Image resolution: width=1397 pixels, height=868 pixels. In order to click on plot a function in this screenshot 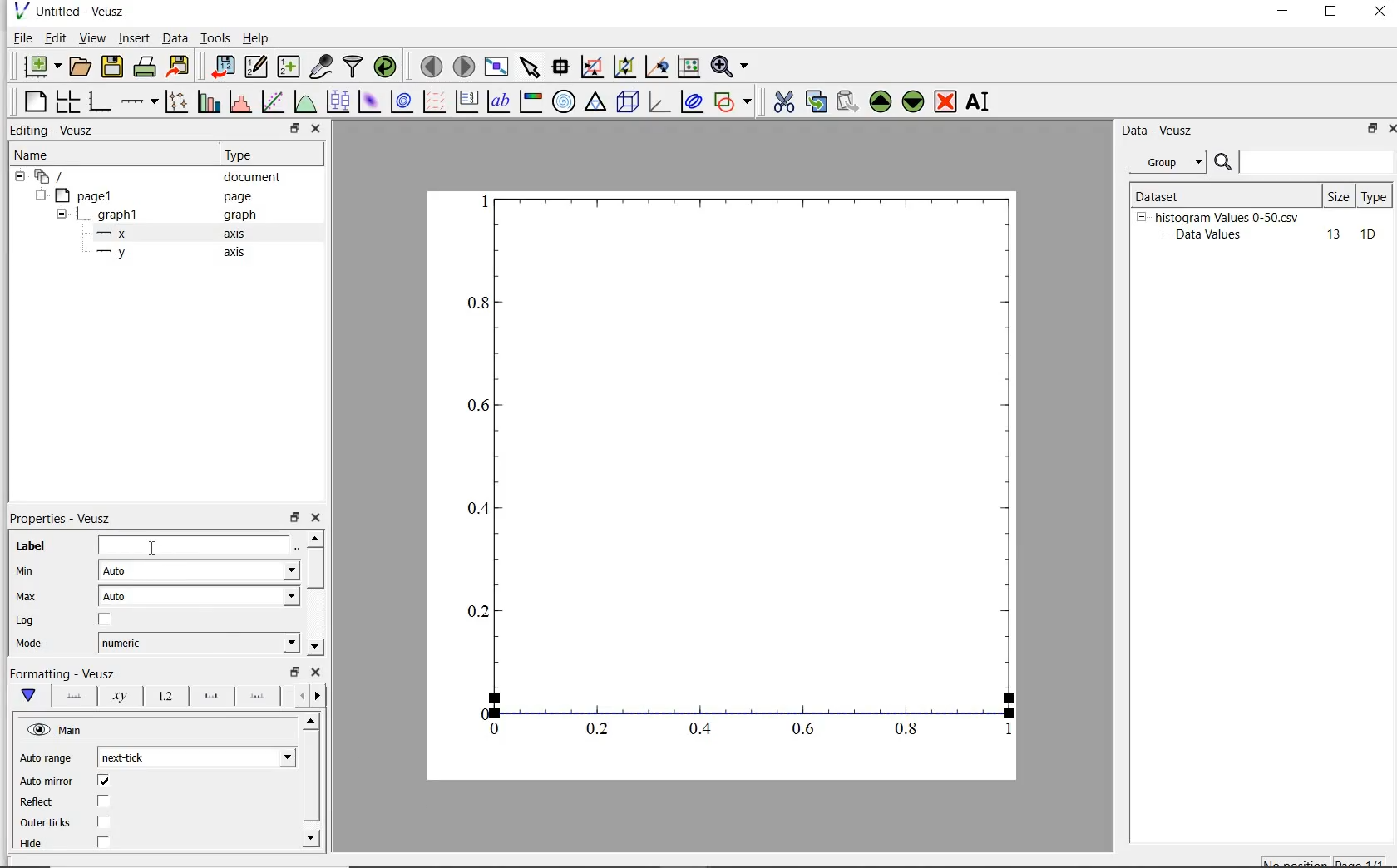, I will do `click(304, 101)`.